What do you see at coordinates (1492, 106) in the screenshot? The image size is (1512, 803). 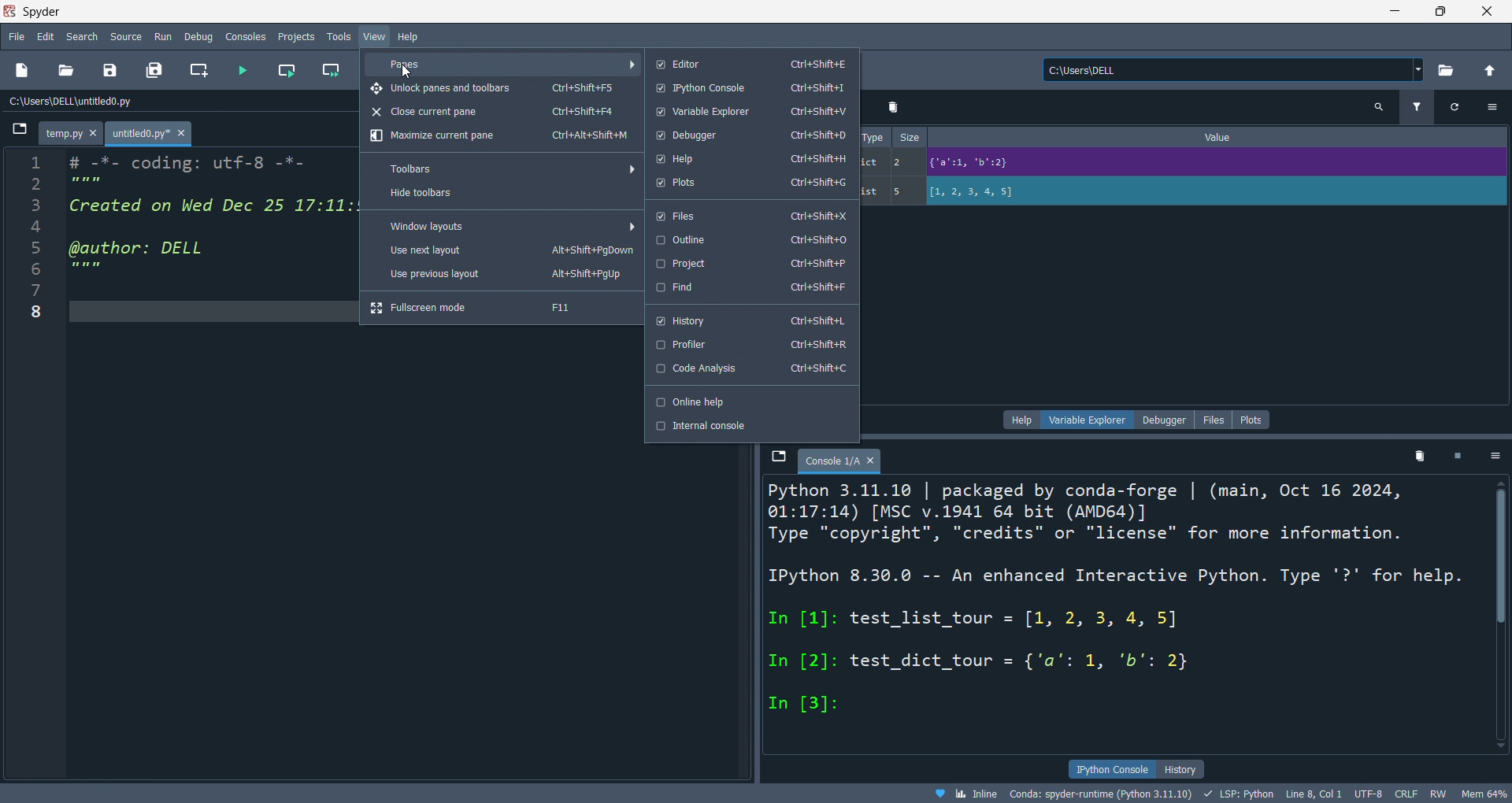 I see `options` at bounding box center [1492, 106].